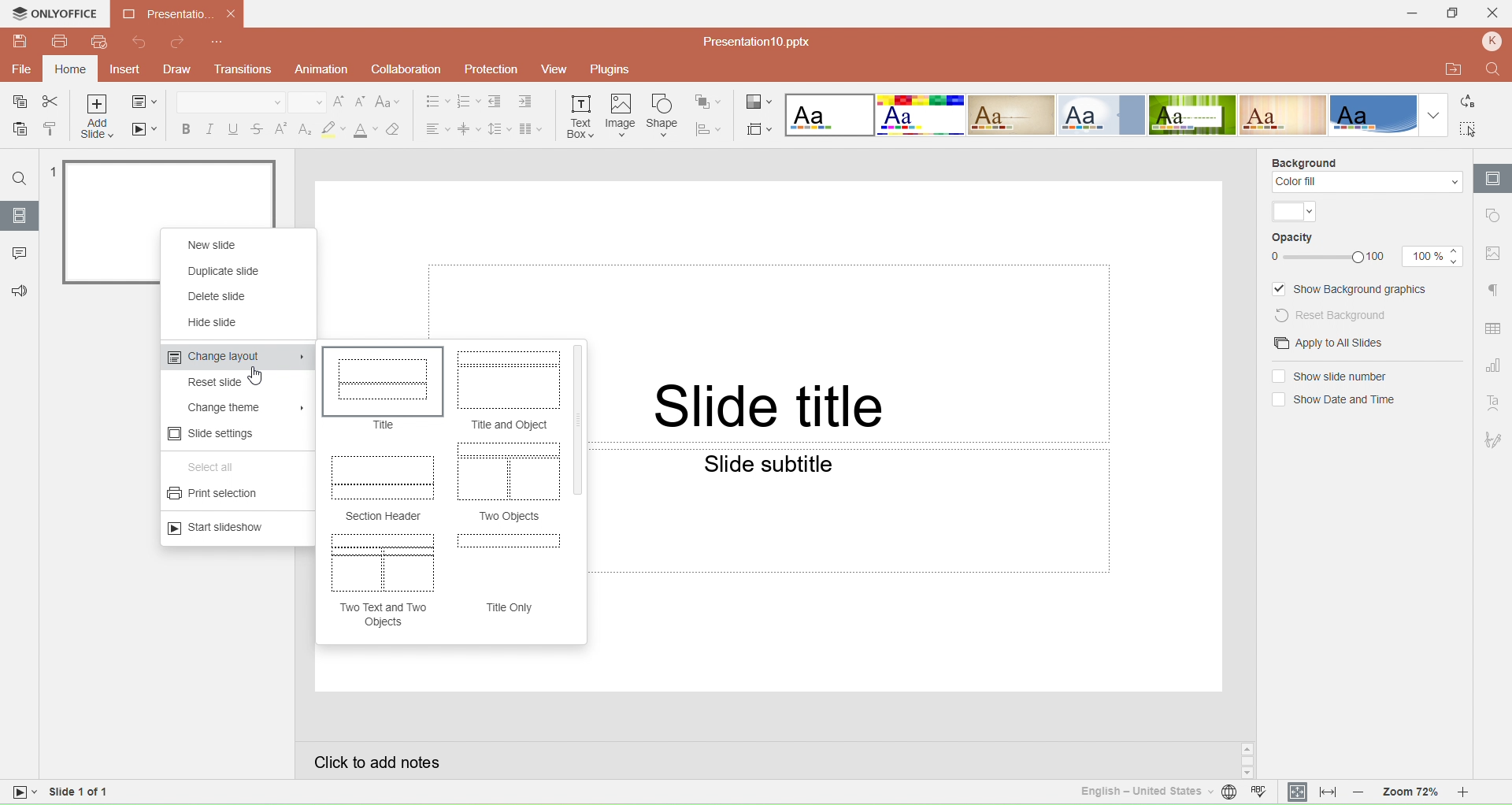  Describe the element at coordinates (229, 101) in the screenshot. I see `Font` at that location.